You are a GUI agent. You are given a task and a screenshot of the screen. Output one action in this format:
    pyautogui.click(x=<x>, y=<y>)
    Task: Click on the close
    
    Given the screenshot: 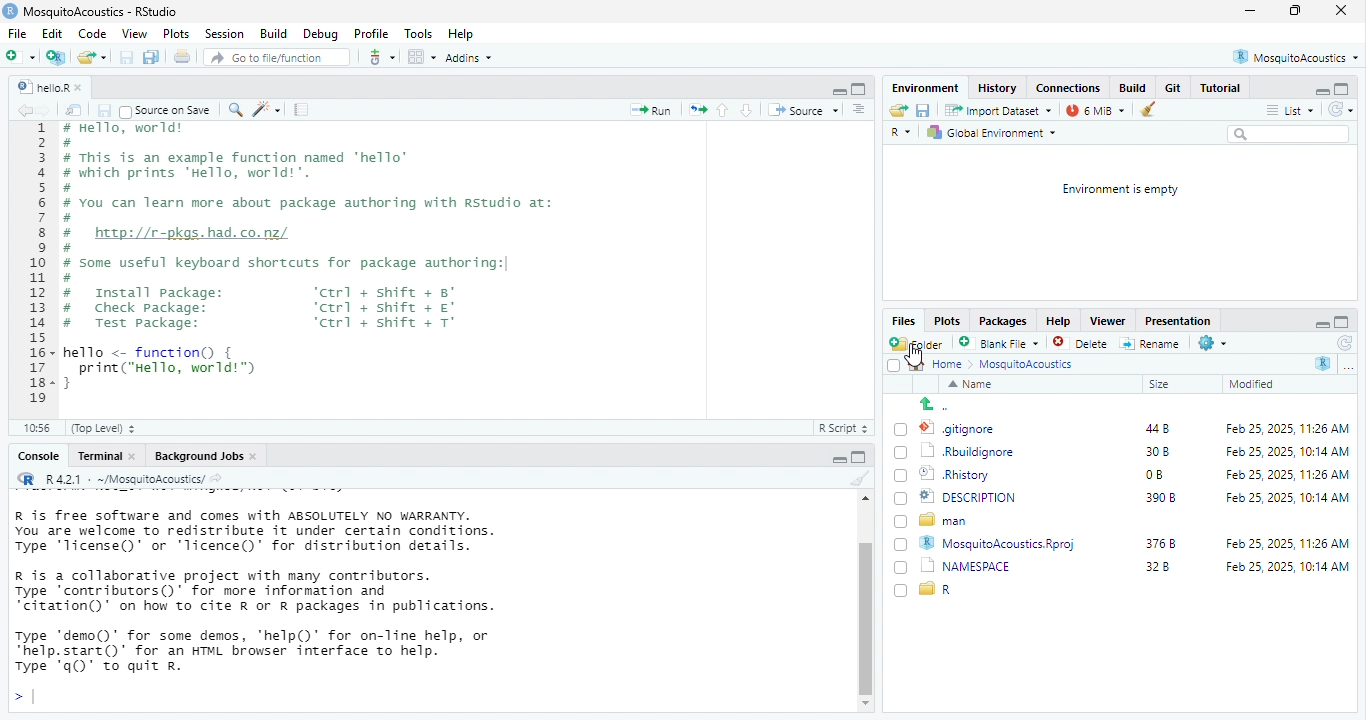 What is the action you would take?
    pyautogui.click(x=84, y=85)
    